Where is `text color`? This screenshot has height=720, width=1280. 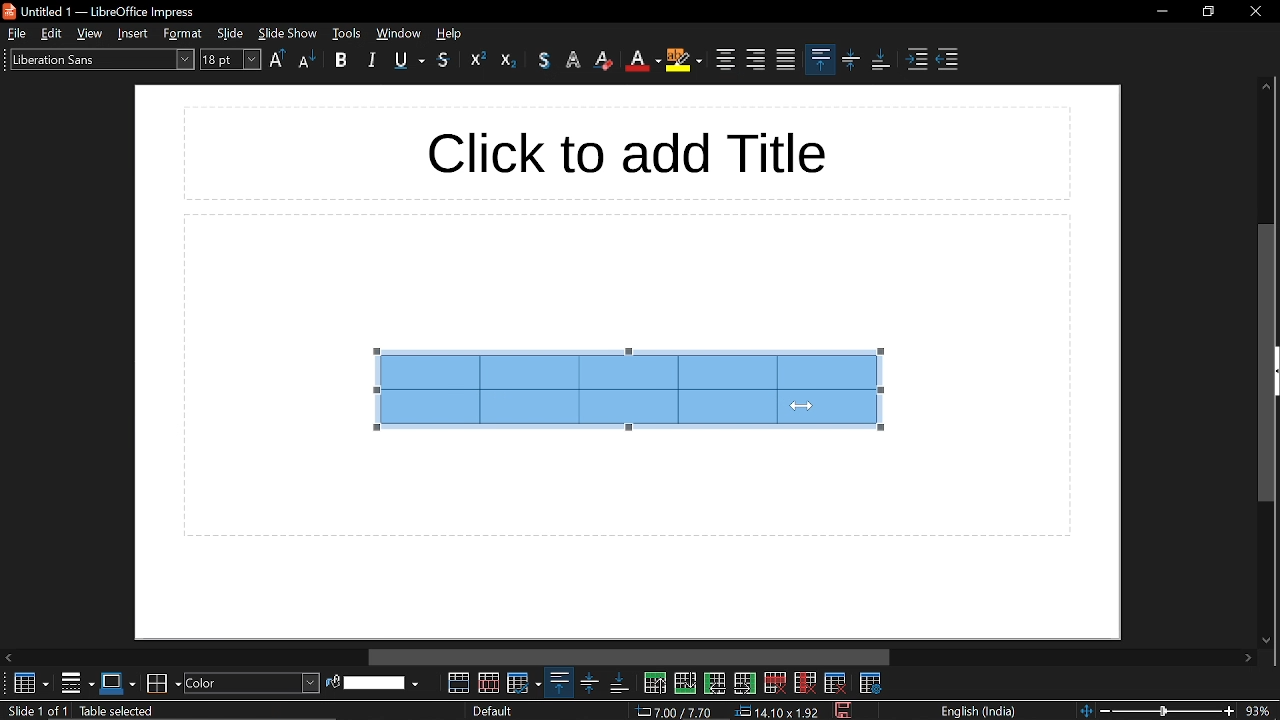
text color is located at coordinates (543, 60).